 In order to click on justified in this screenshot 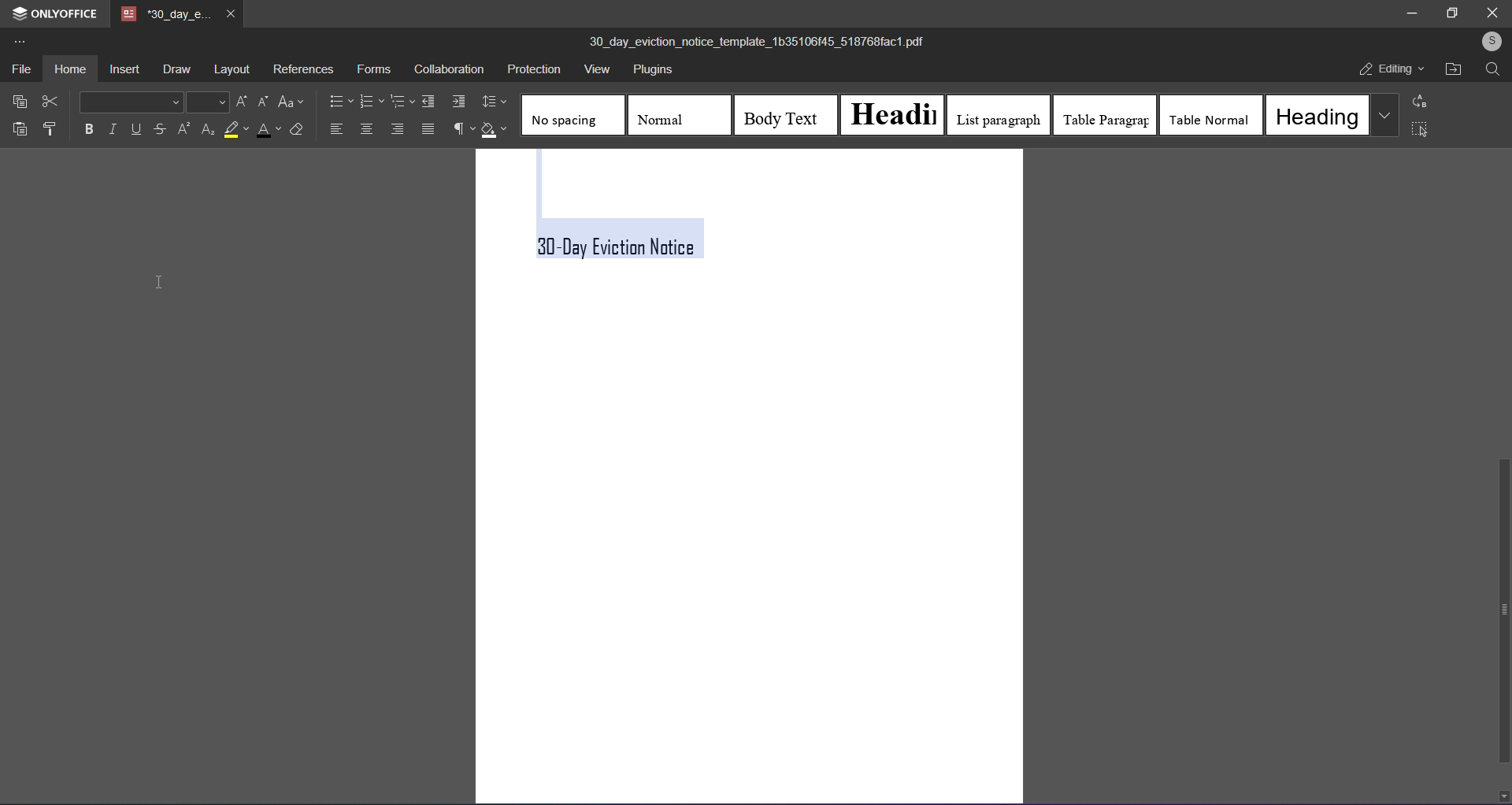, I will do `click(428, 128)`.